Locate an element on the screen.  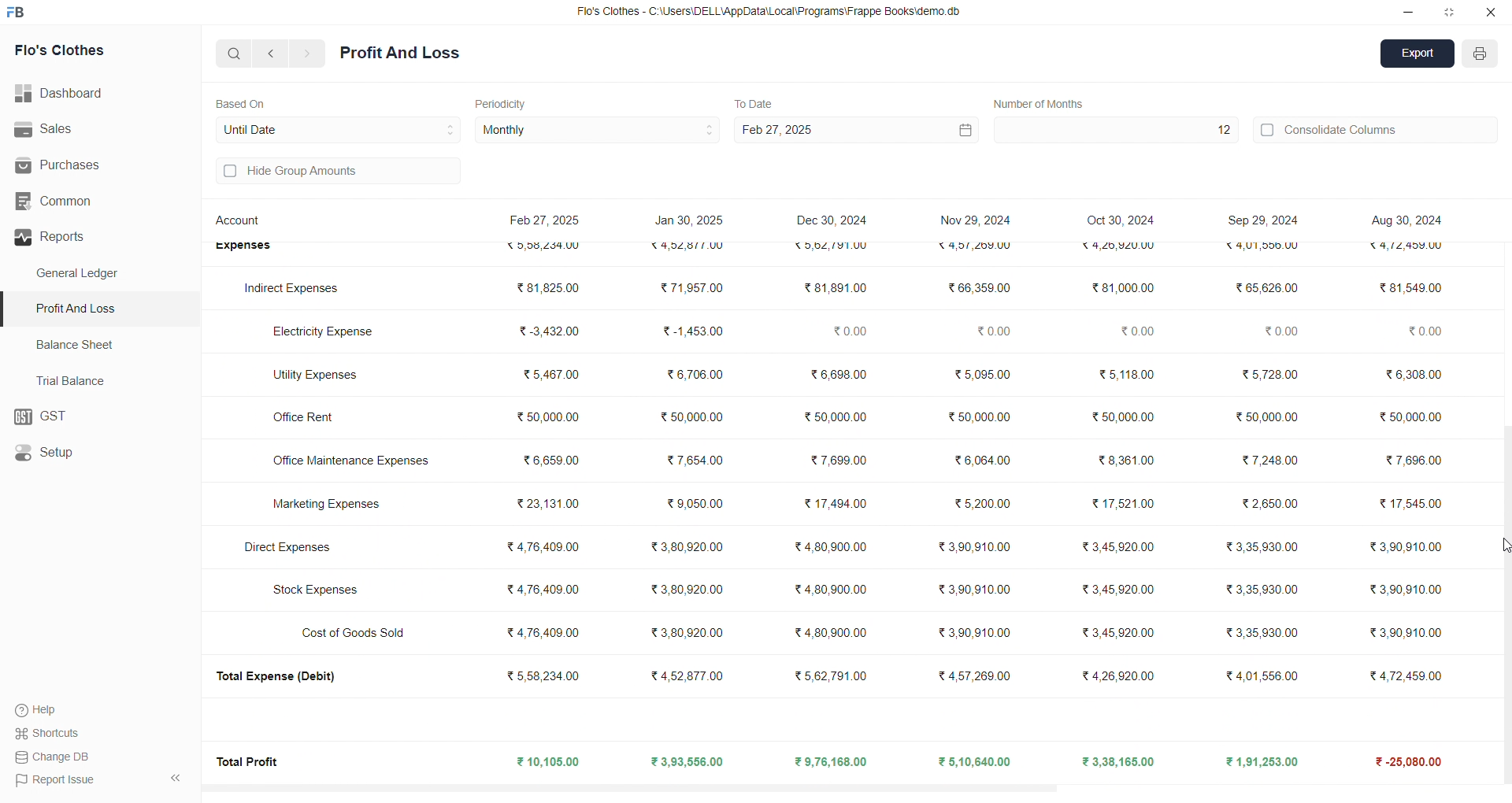
₹81,891.00 is located at coordinates (833, 288).